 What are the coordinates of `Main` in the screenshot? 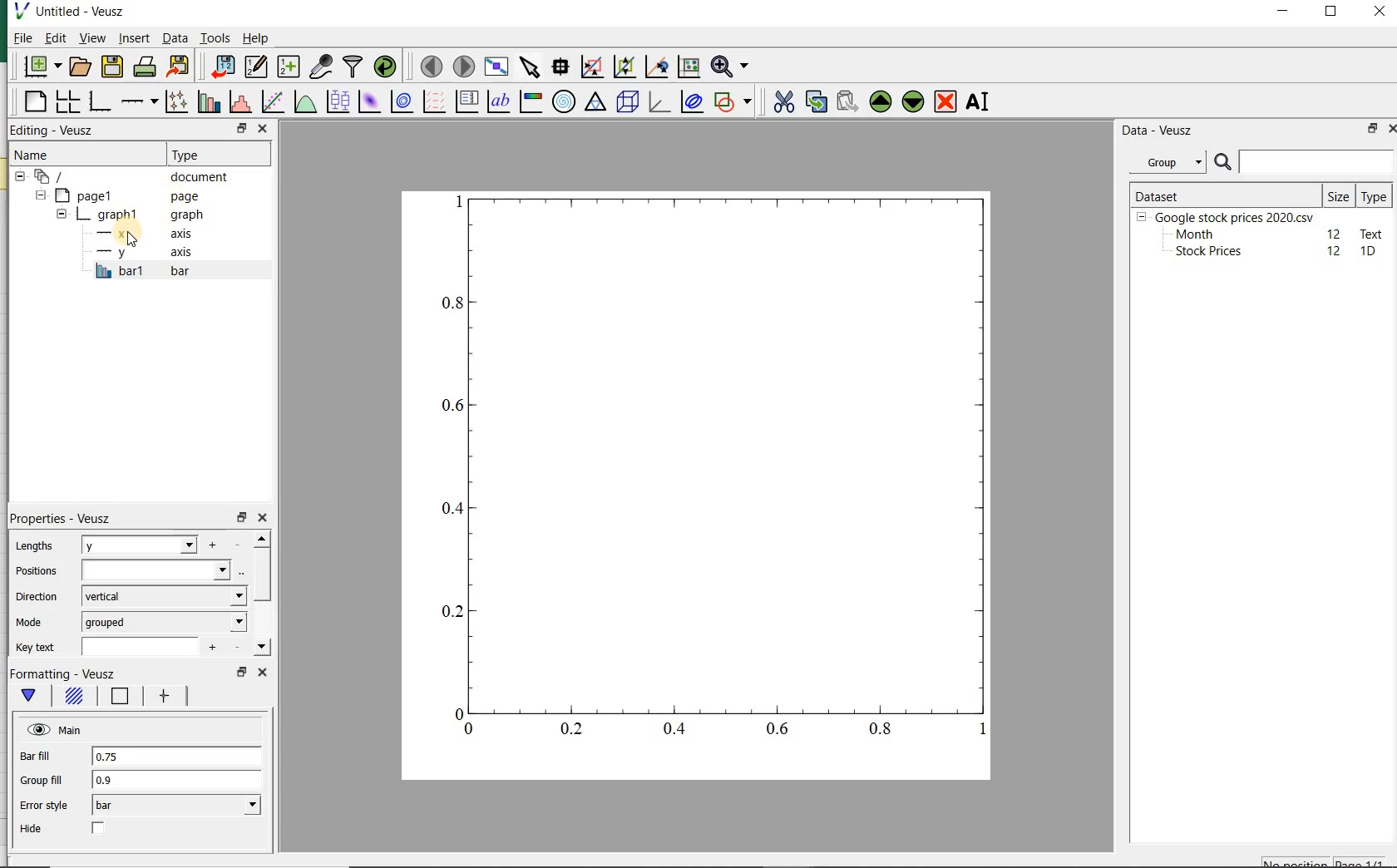 It's located at (52, 730).